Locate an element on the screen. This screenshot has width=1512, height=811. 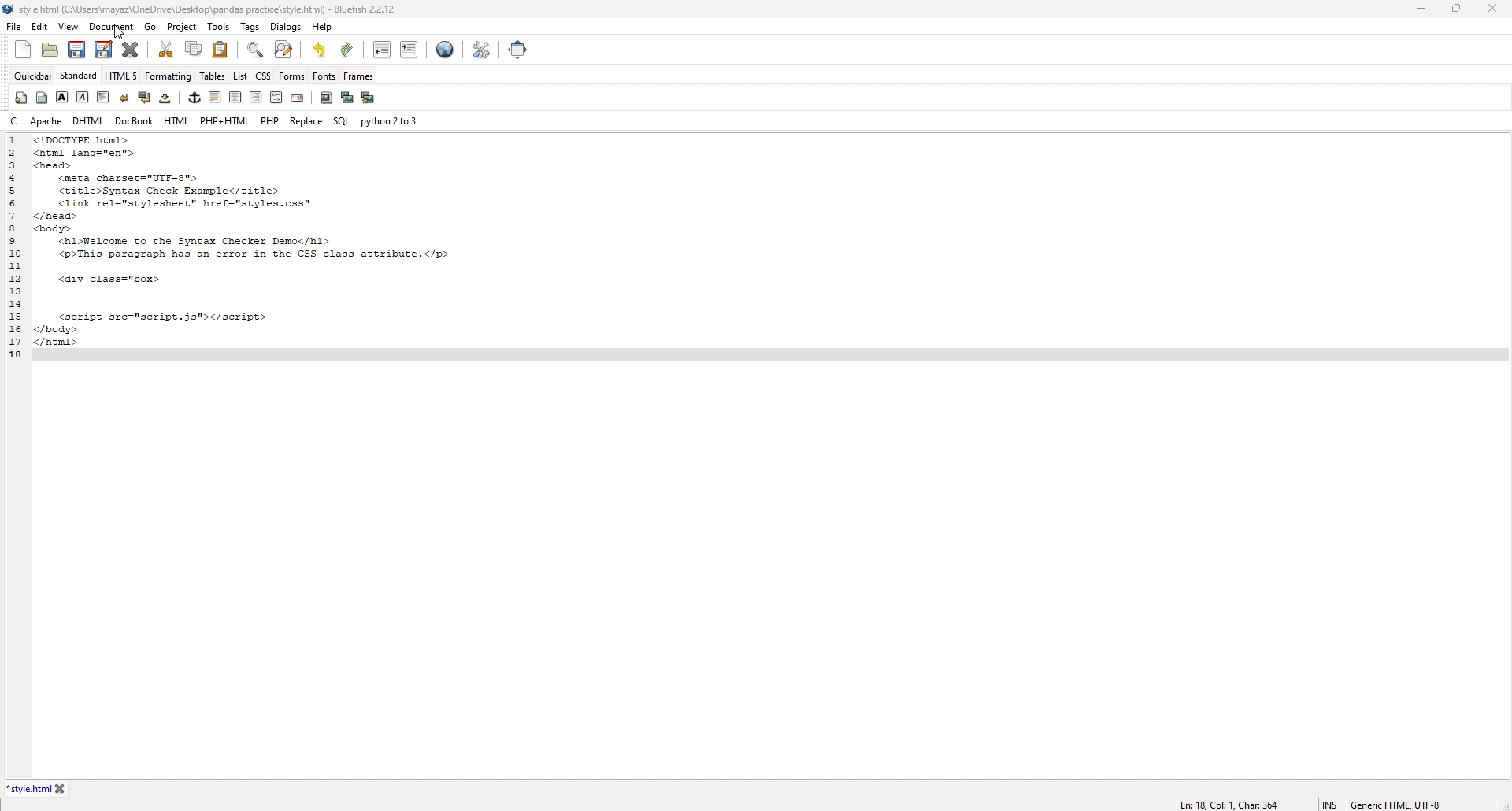
save as is located at coordinates (104, 49).